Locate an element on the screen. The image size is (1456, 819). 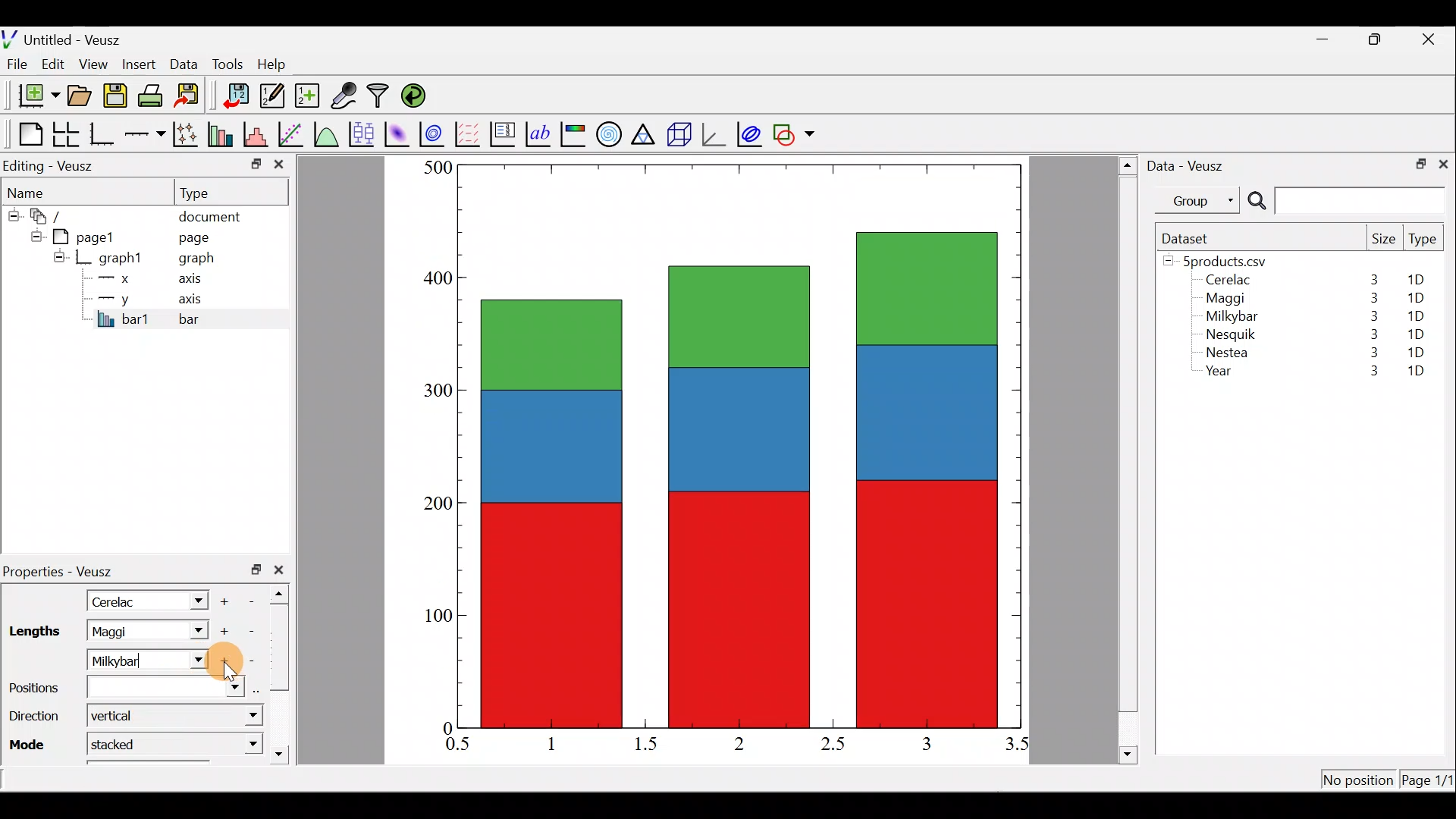
1D is located at coordinates (1421, 280).